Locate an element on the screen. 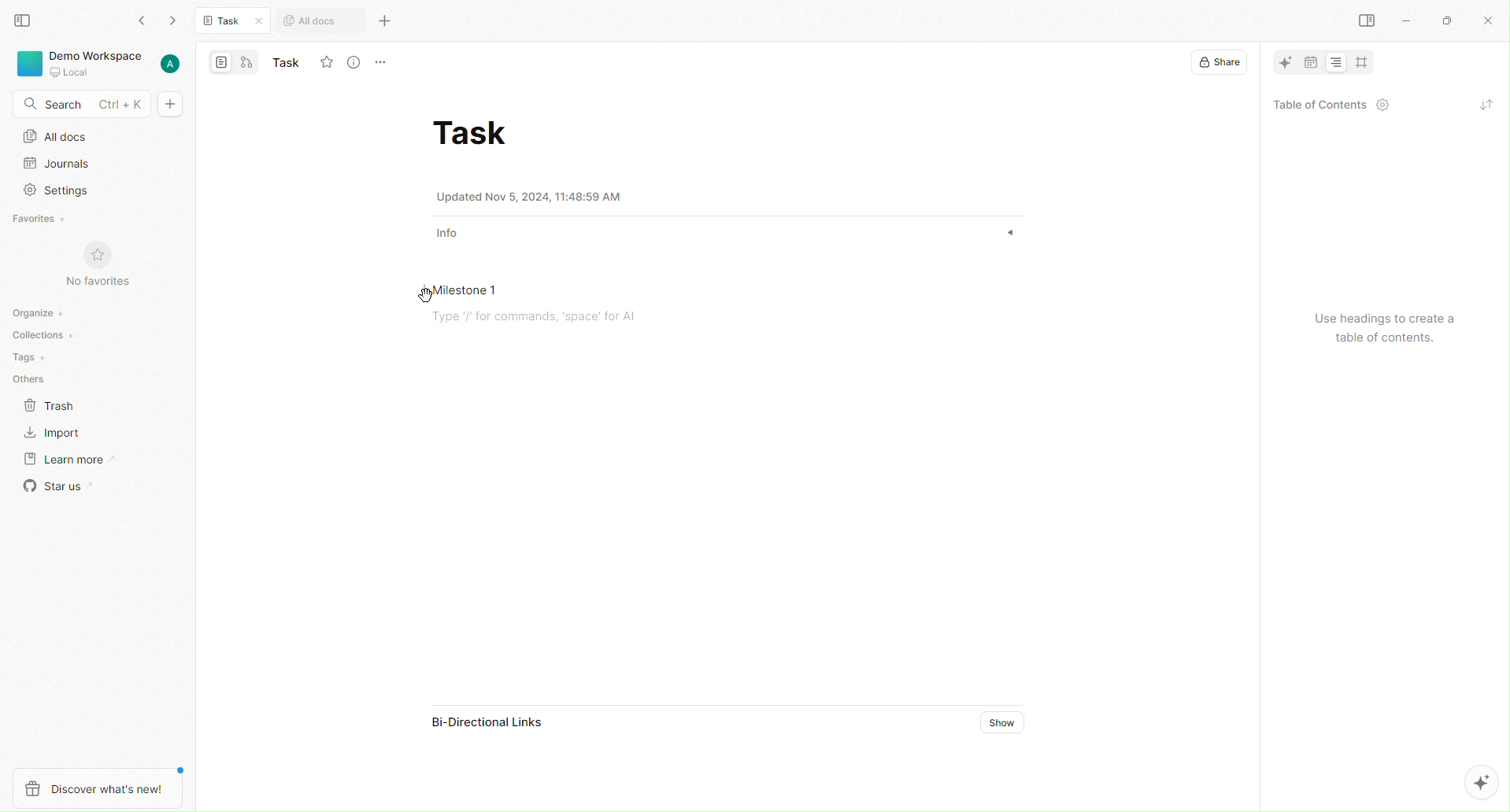 The image size is (1510, 812). Tags is located at coordinates (25, 356).